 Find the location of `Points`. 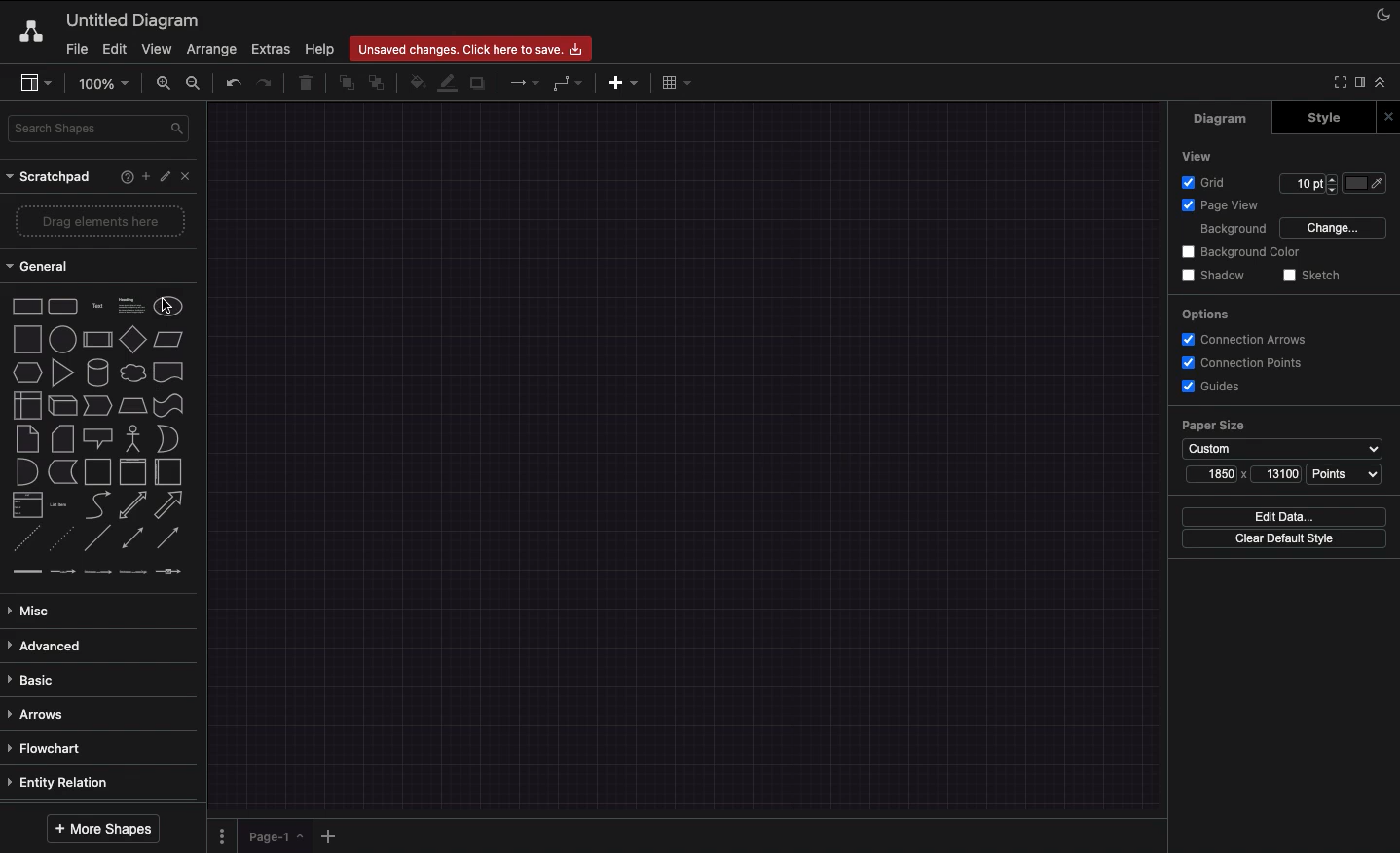

Points is located at coordinates (1345, 474).